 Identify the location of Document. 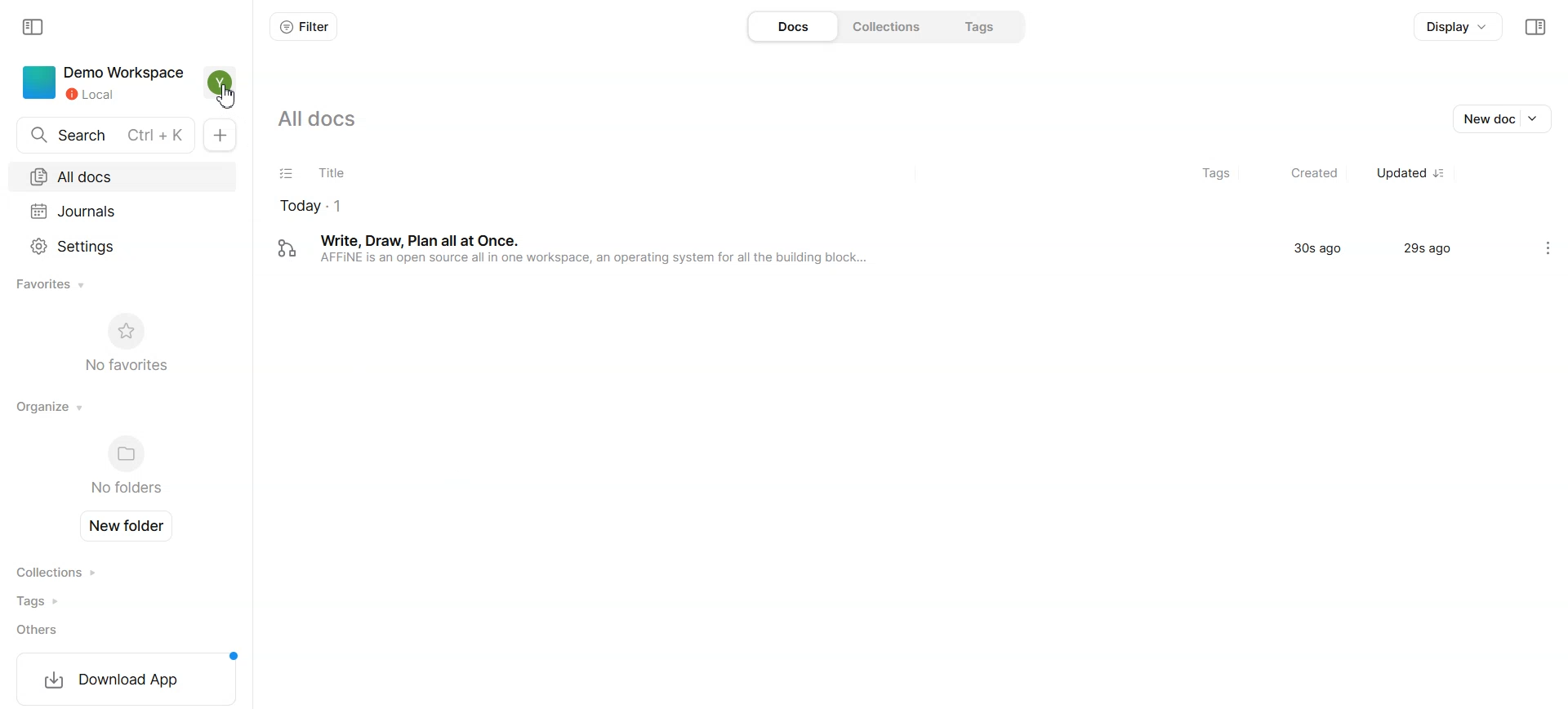
(890, 248).